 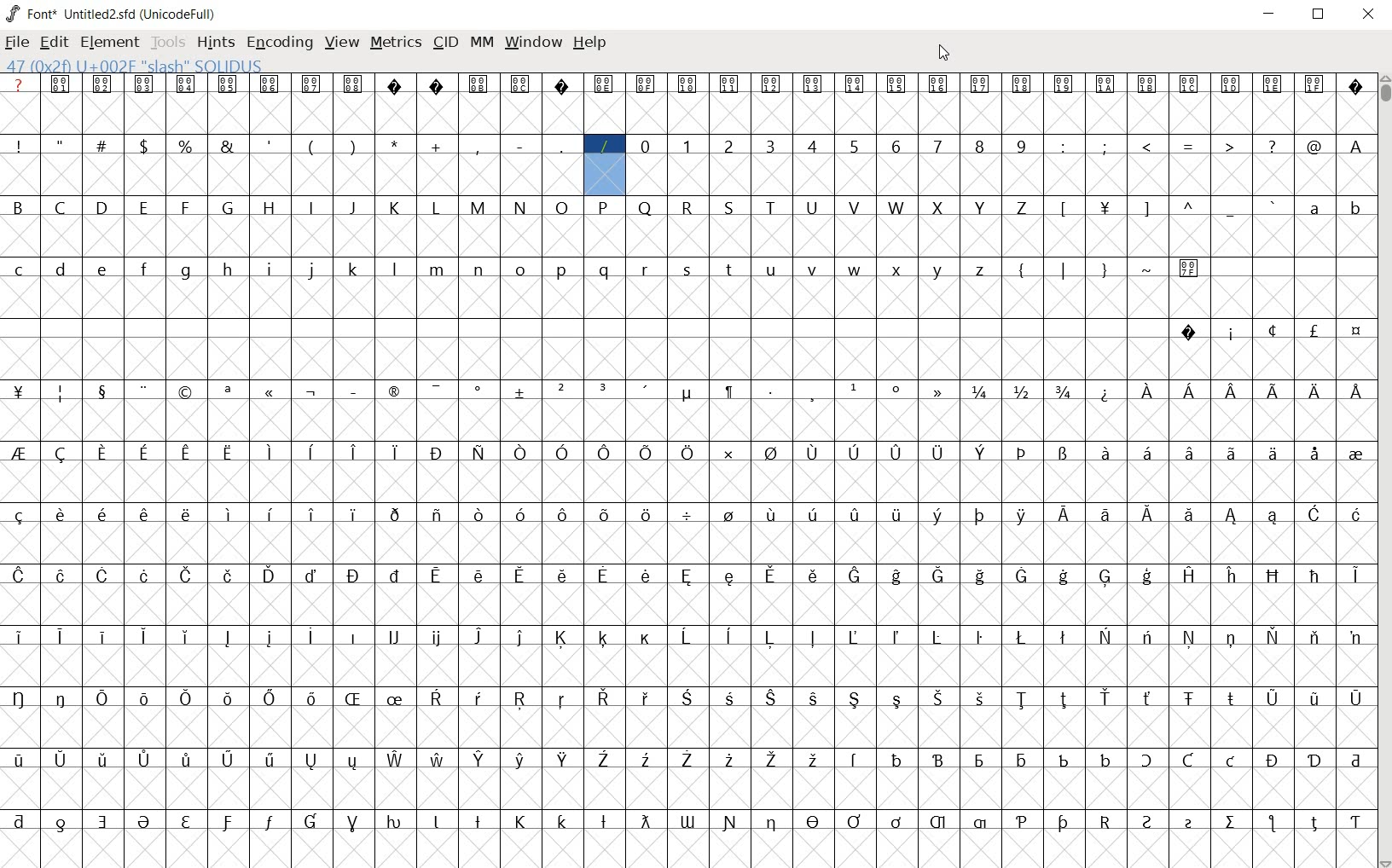 What do you see at coordinates (436, 697) in the screenshot?
I see `glyph` at bounding box center [436, 697].